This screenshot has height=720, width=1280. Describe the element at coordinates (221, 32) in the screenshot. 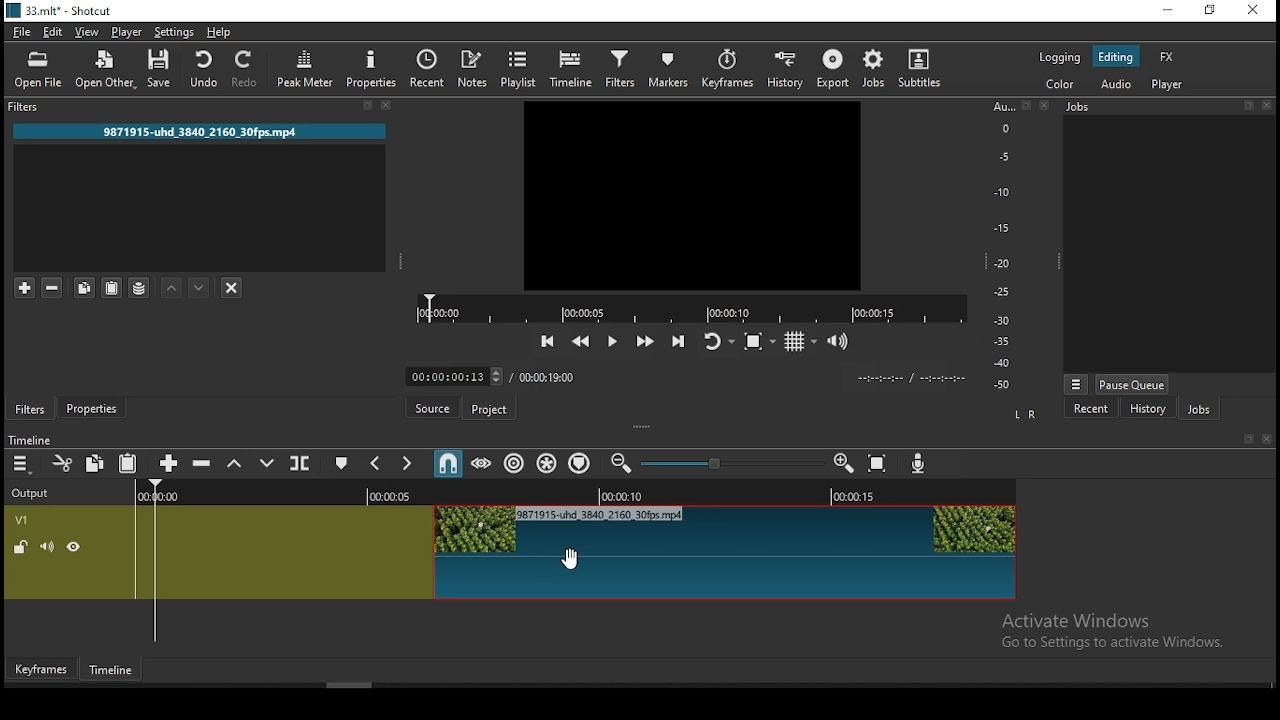

I see `help` at that location.